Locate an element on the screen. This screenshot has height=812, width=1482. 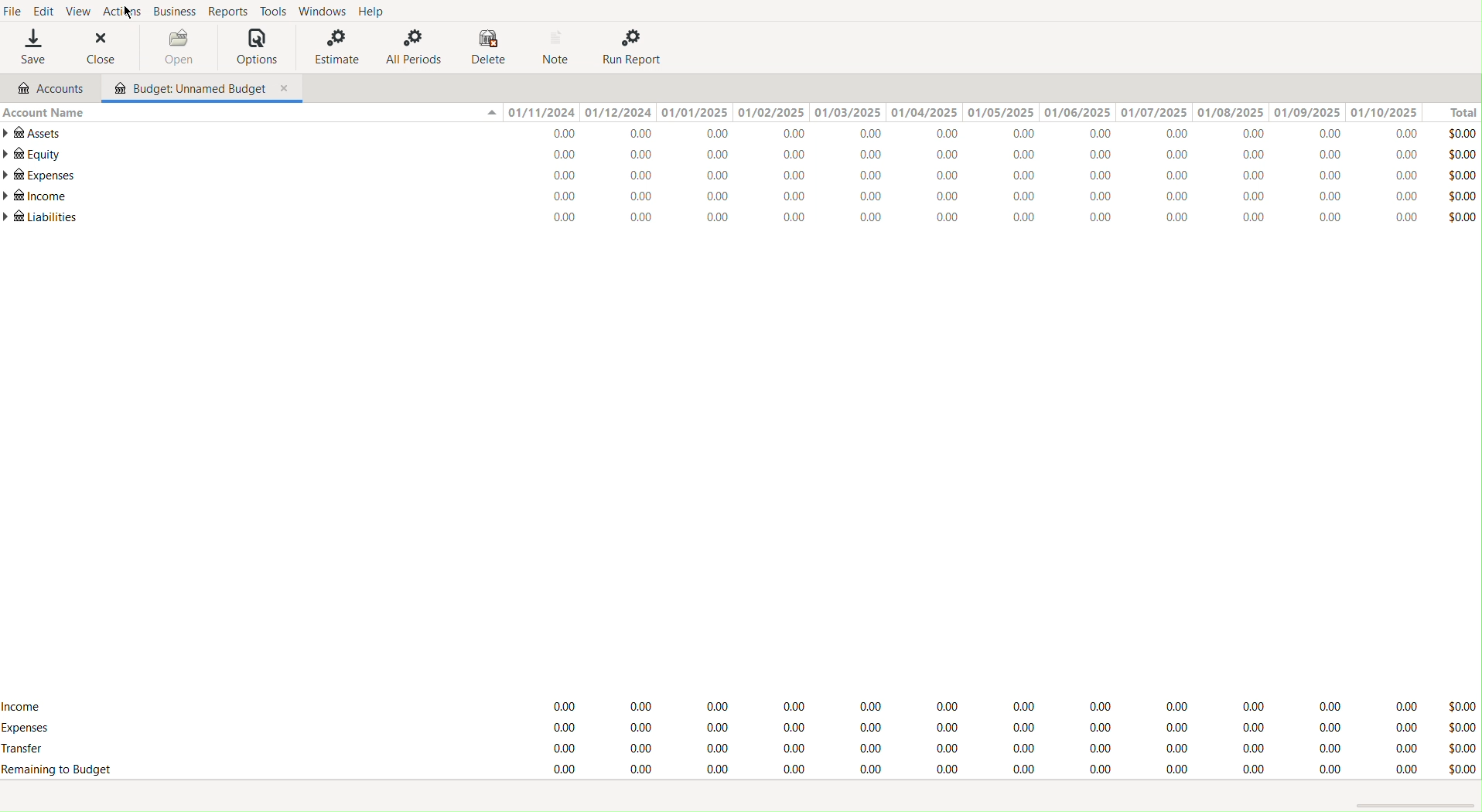
Total Values is located at coordinates (1463, 173).